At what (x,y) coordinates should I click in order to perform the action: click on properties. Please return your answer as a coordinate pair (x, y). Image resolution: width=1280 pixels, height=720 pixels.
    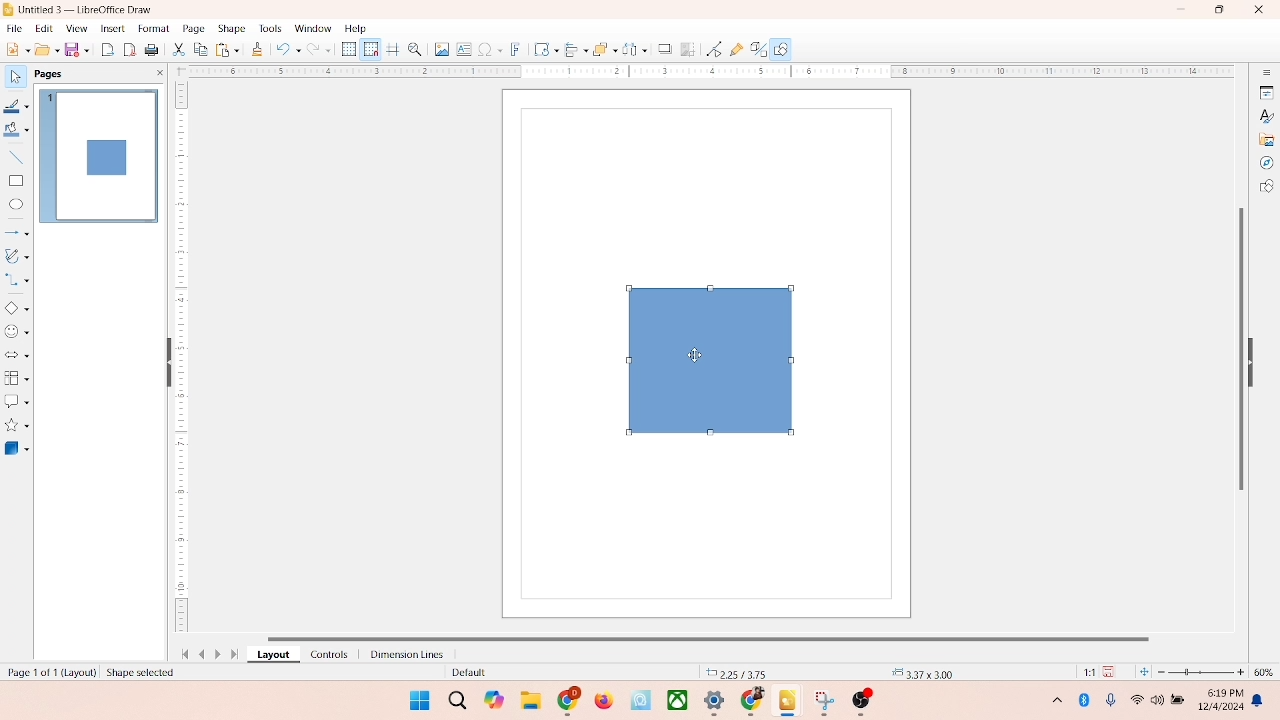
    Looking at the image, I should click on (1265, 91).